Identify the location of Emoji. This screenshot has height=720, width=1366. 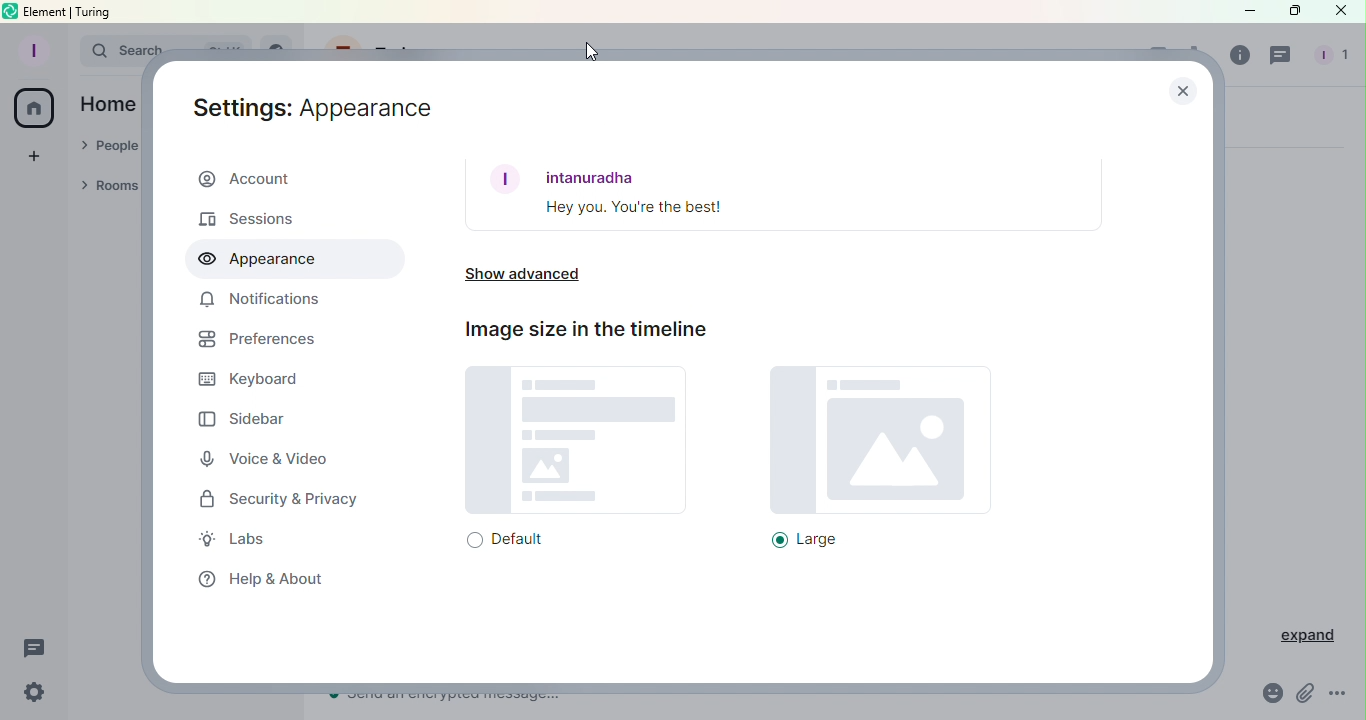
(1269, 696).